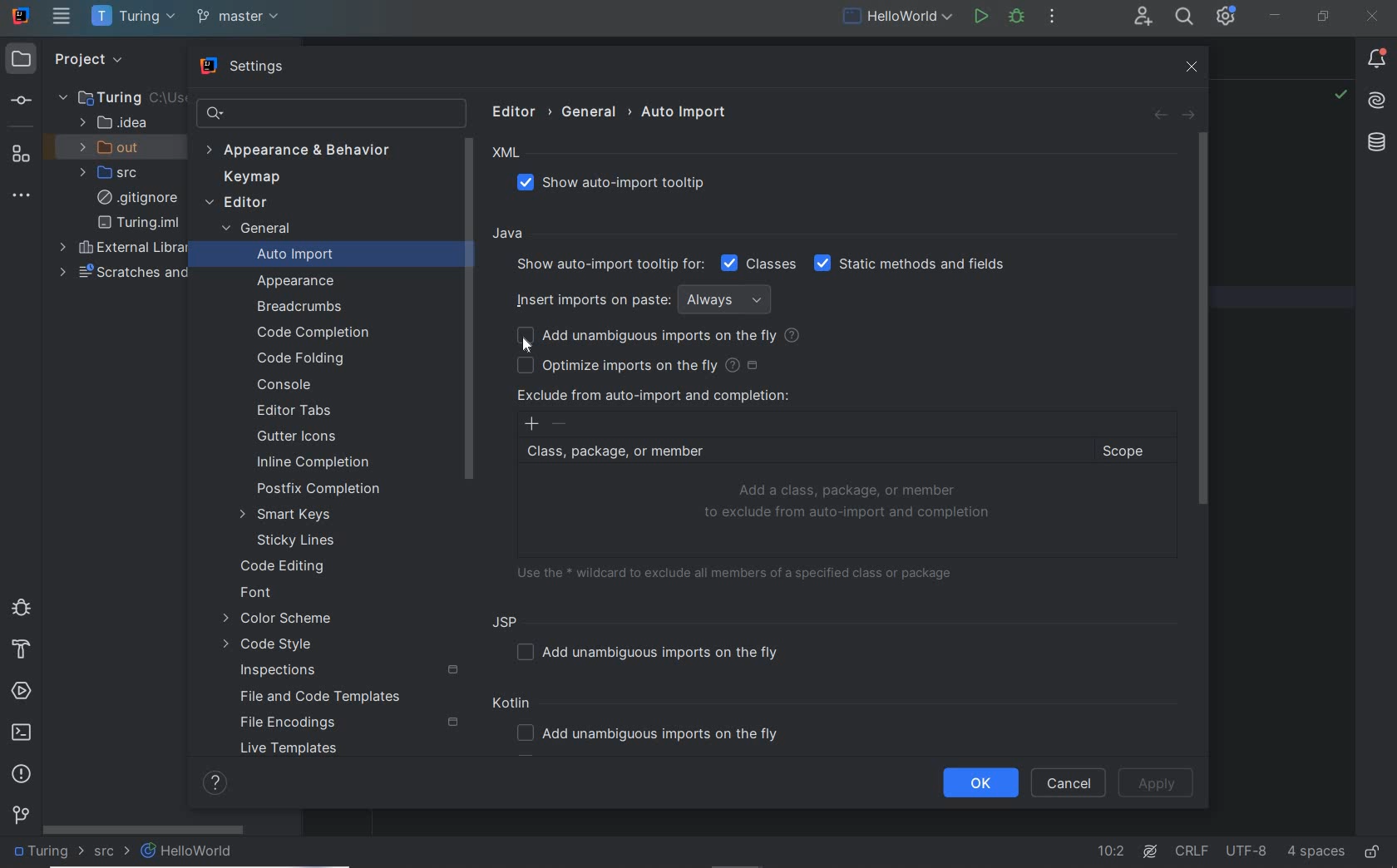 Image resolution: width=1397 pixels, height=868 pixels. What do you see at coordinates (654, 735) in the screenshot?
I see `ADD UNAMBIGUOUS IMPORTS ON THE FLY` at bounding box center [654, 735].